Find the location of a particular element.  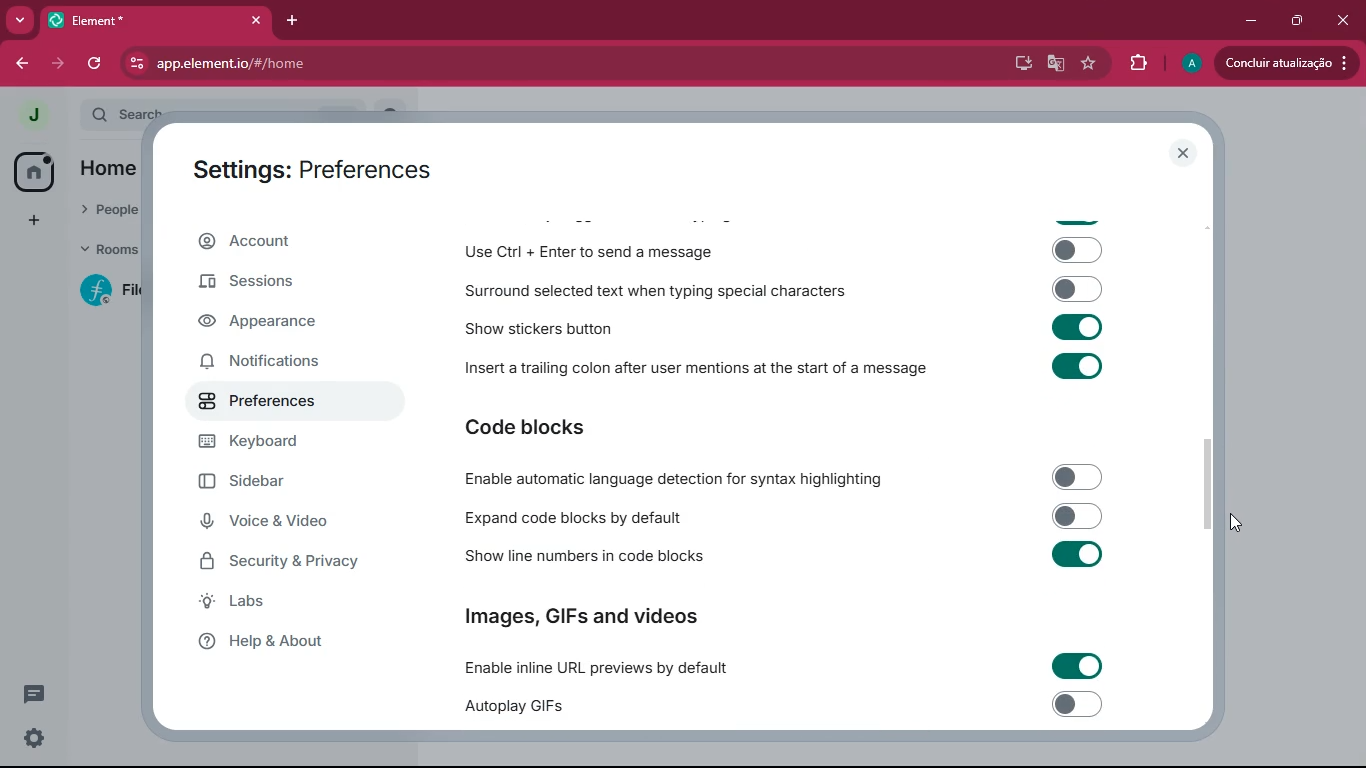

element is located at coordinates (155, 20).